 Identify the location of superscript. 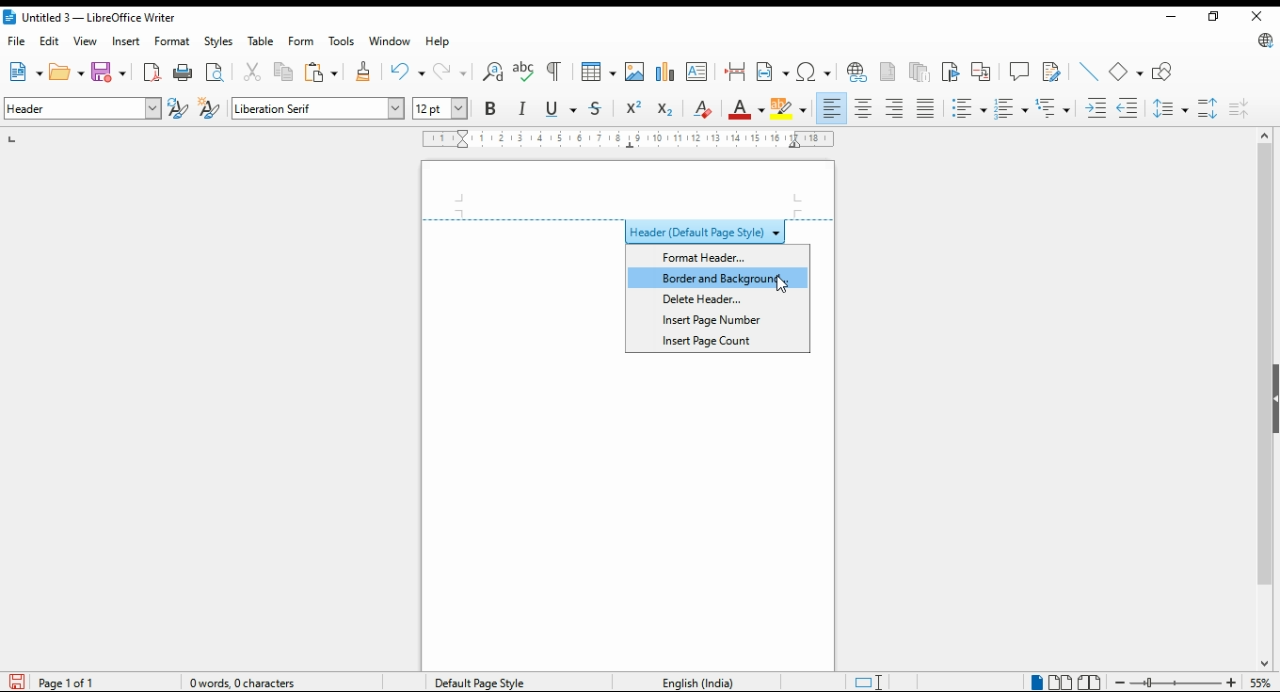
(633, 107).